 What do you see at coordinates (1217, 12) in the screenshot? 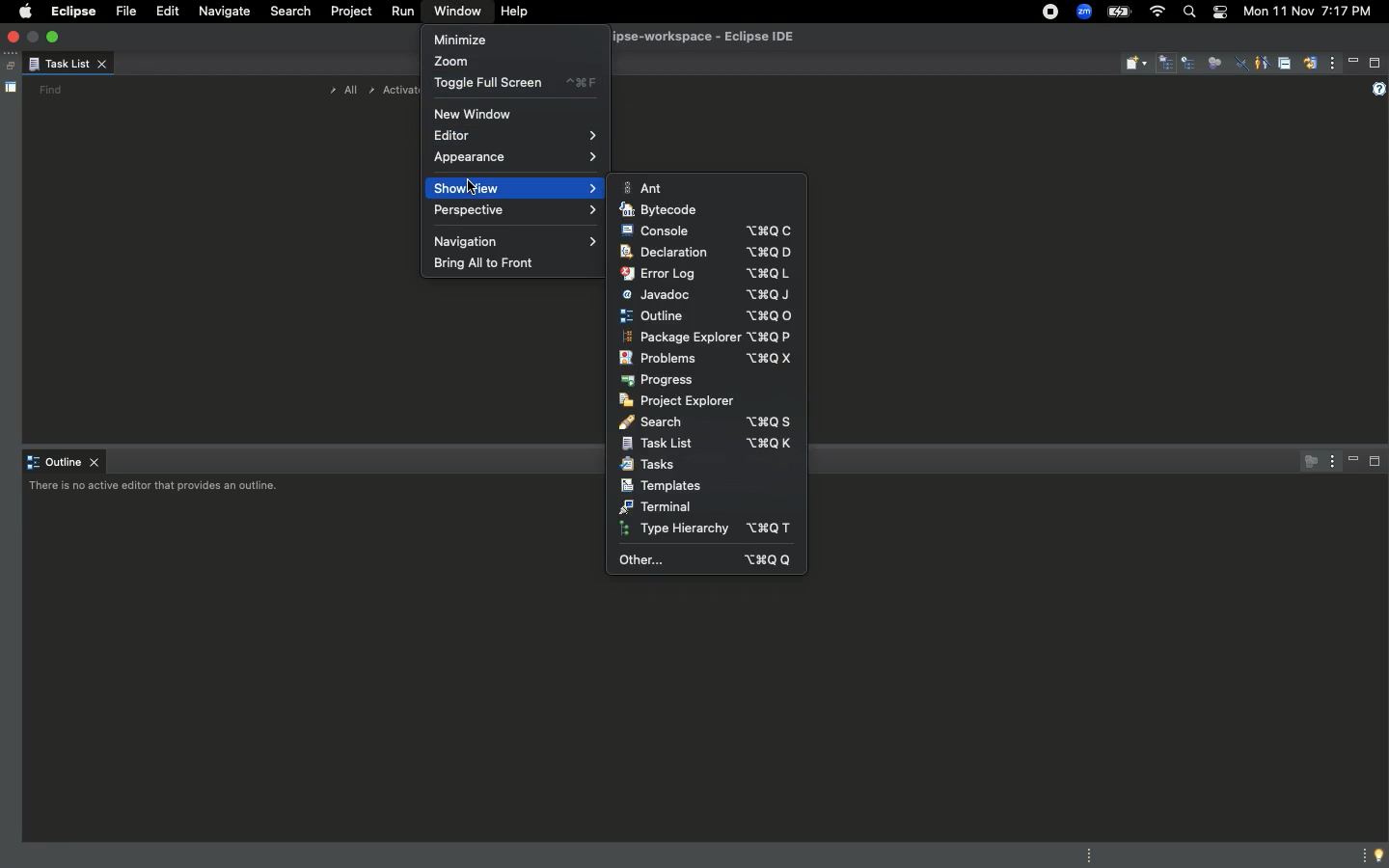
I see `Notification ` at bounding box center [1217, 12].